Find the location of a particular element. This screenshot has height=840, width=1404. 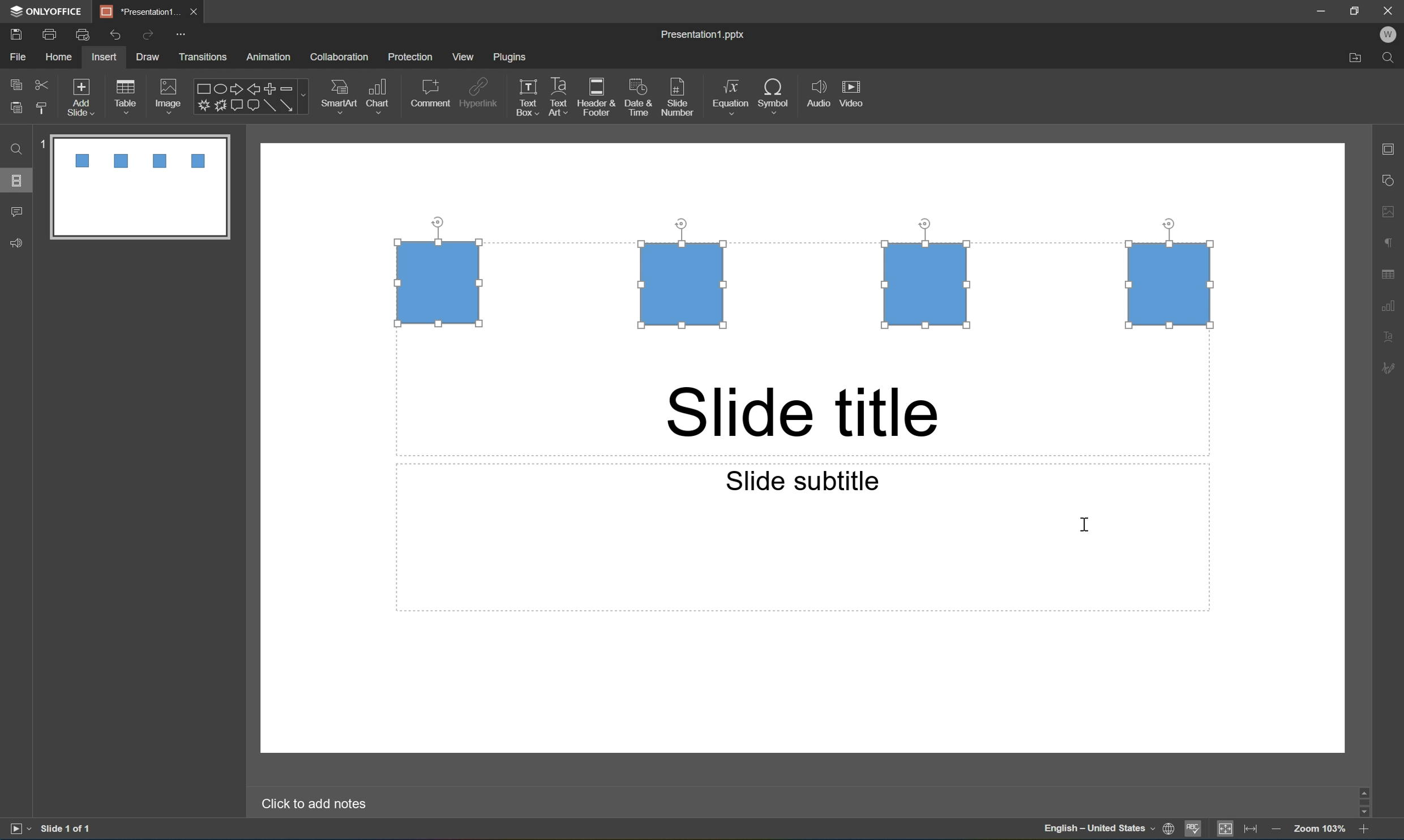

zoom out is located at coordinates (1277, 831).